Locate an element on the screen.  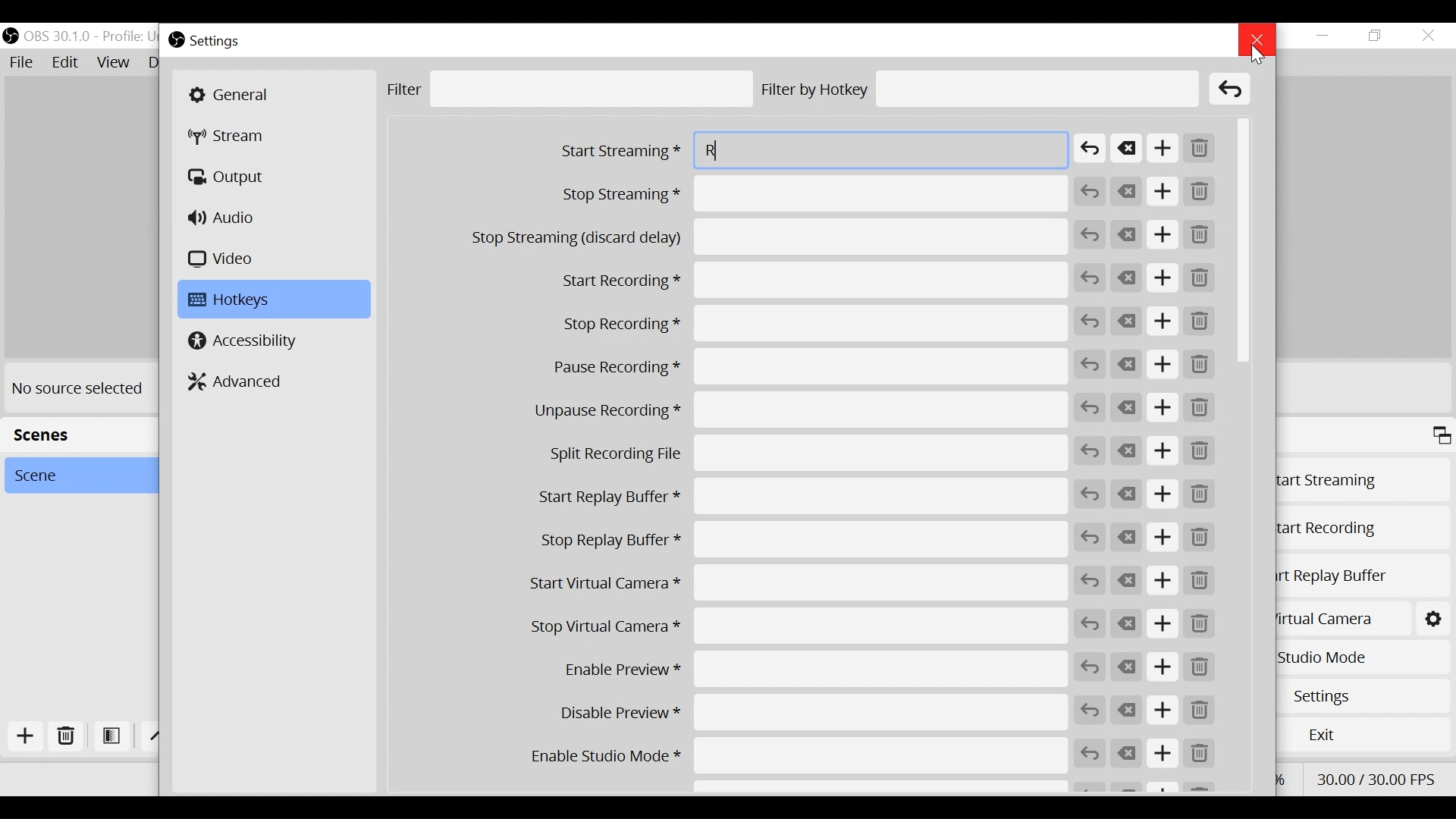
Remove is located at coordinates (1200, 670).